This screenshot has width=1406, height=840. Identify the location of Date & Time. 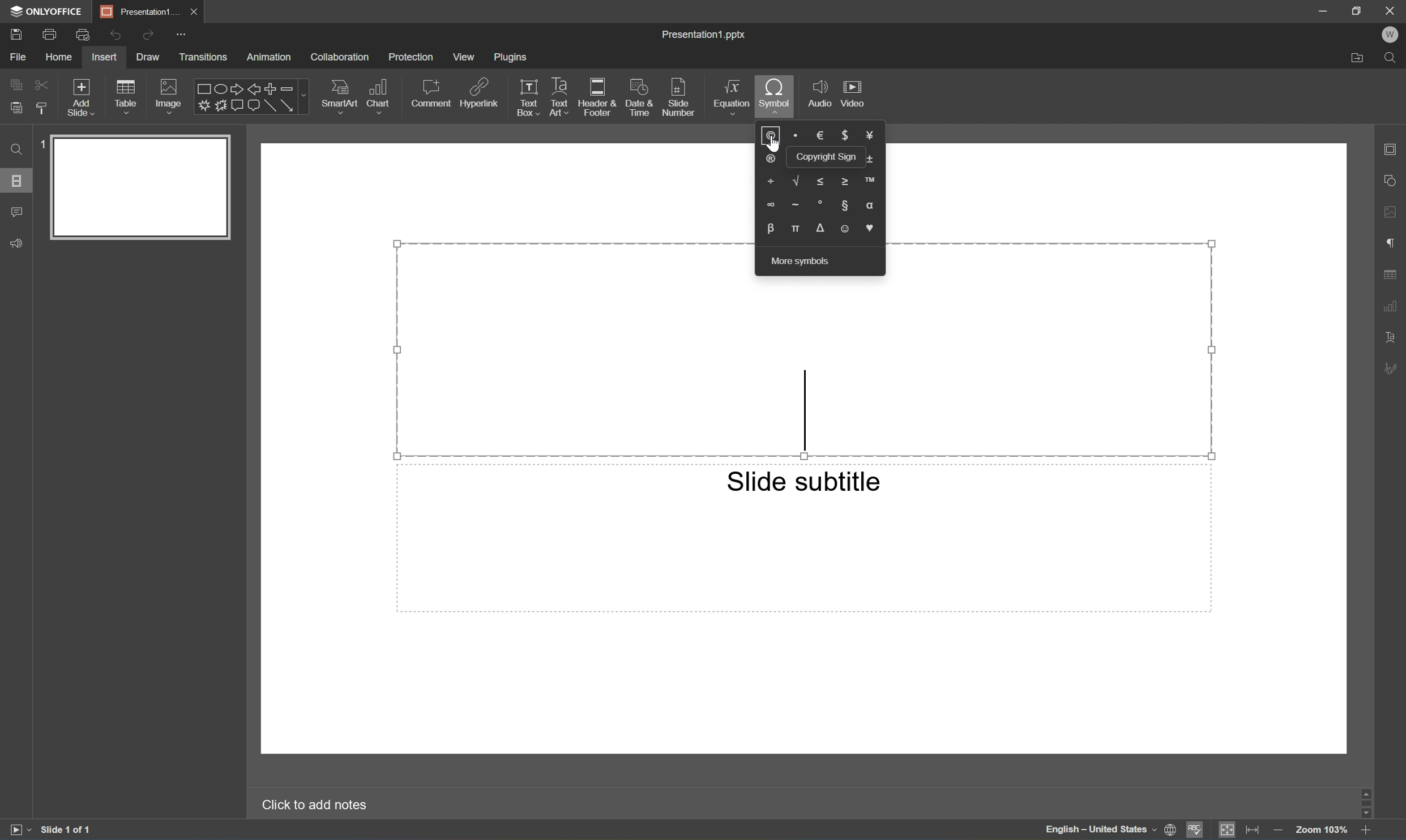
(641, 97).